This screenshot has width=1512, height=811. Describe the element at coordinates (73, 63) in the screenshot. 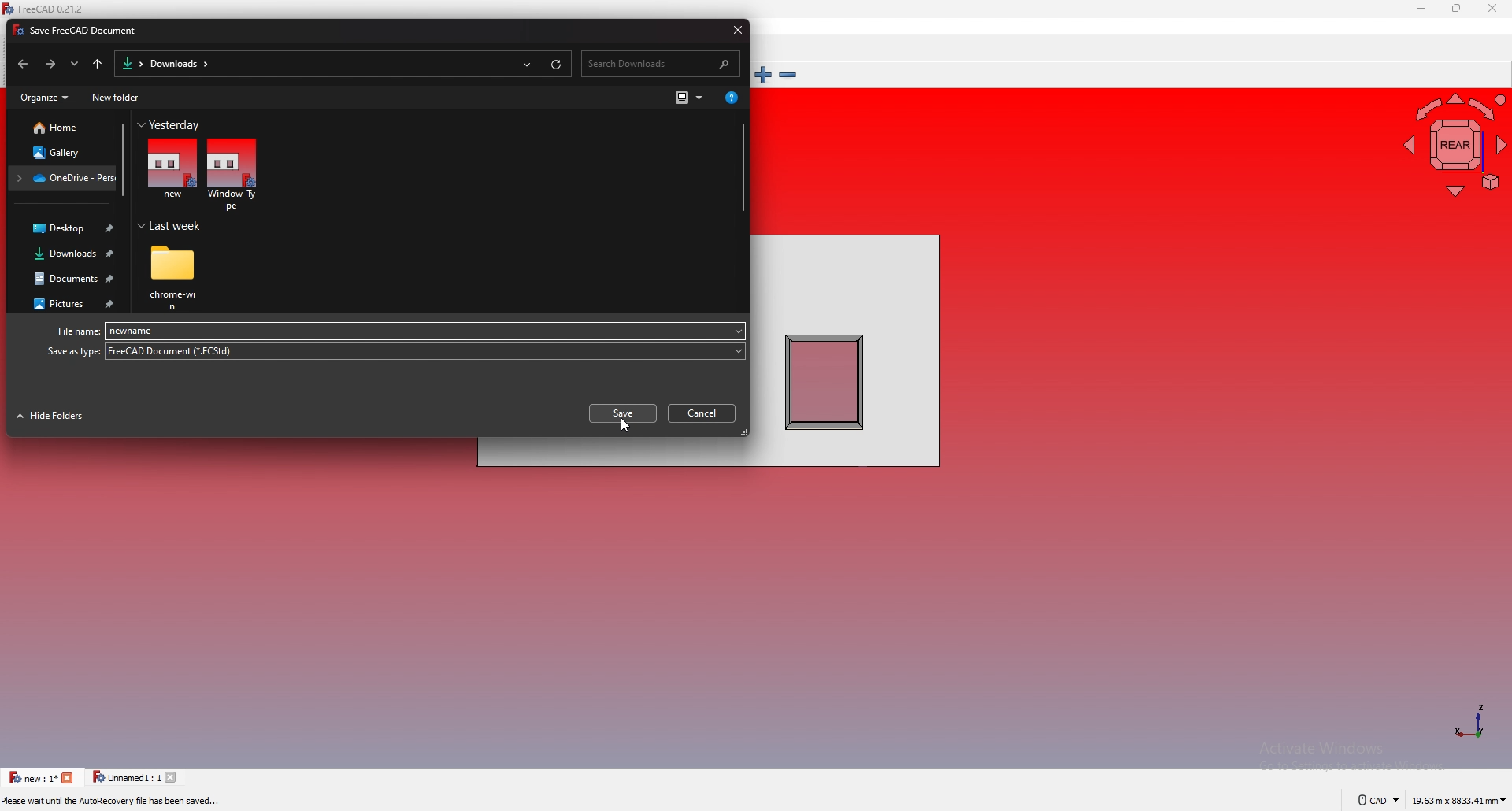

I see `recent` at that location.